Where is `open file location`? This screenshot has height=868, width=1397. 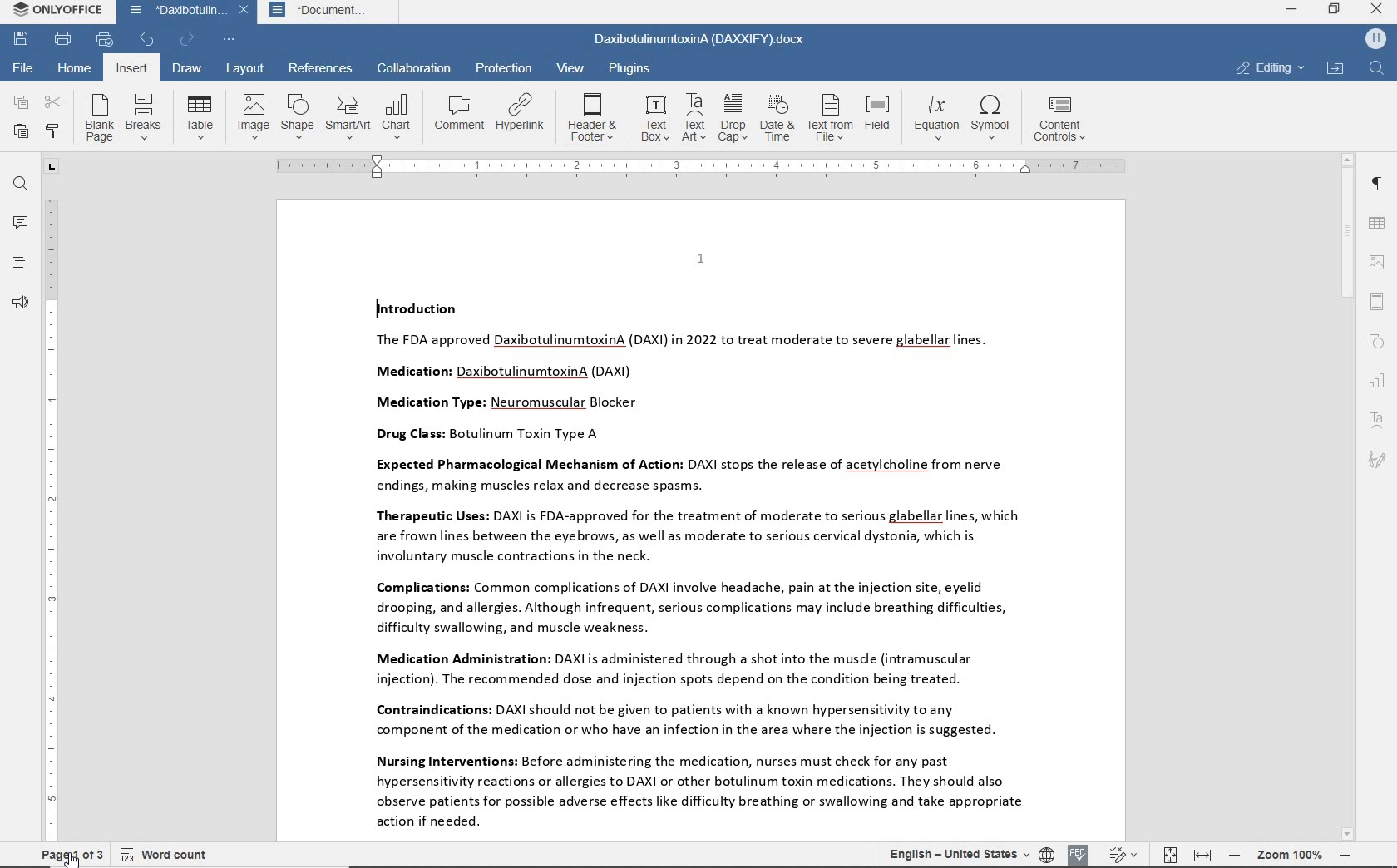 open file location is located at coordinates (1335, 69).